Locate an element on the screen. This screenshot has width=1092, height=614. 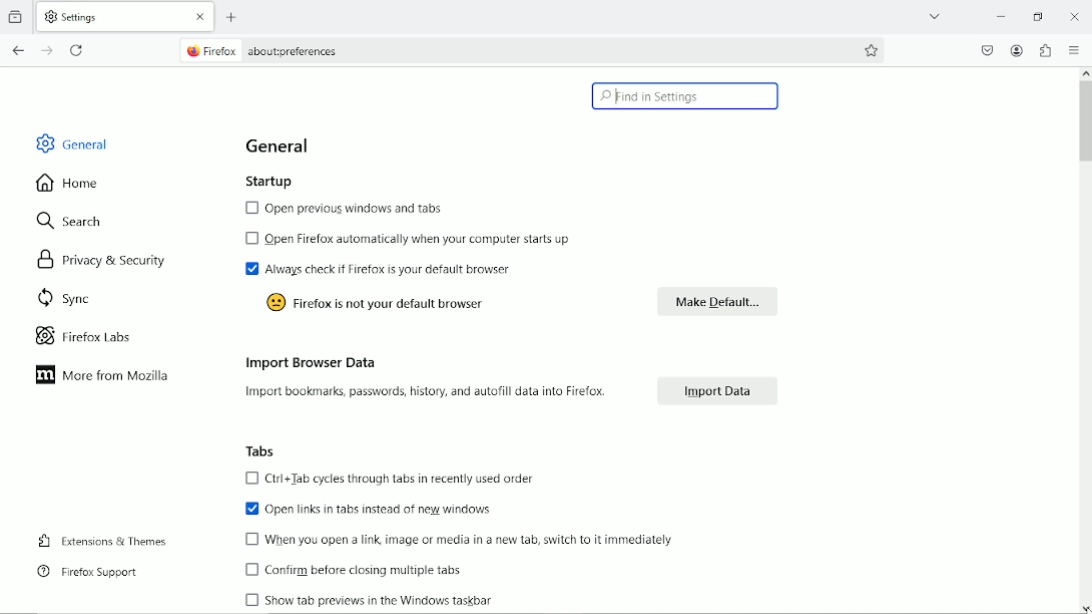
Restore down is located at coordinates (1041, 17).